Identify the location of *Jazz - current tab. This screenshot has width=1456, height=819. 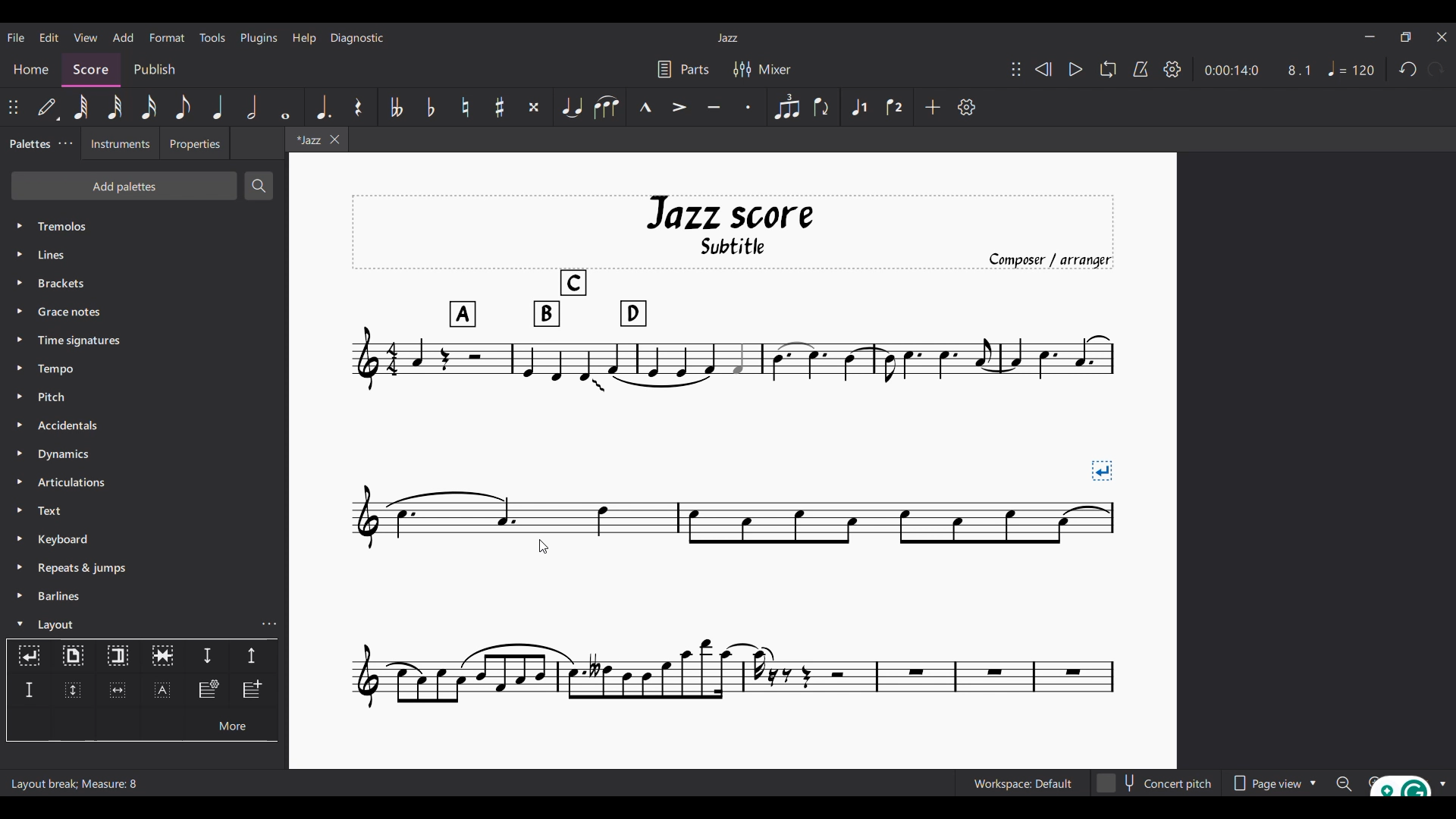
(306, 139).